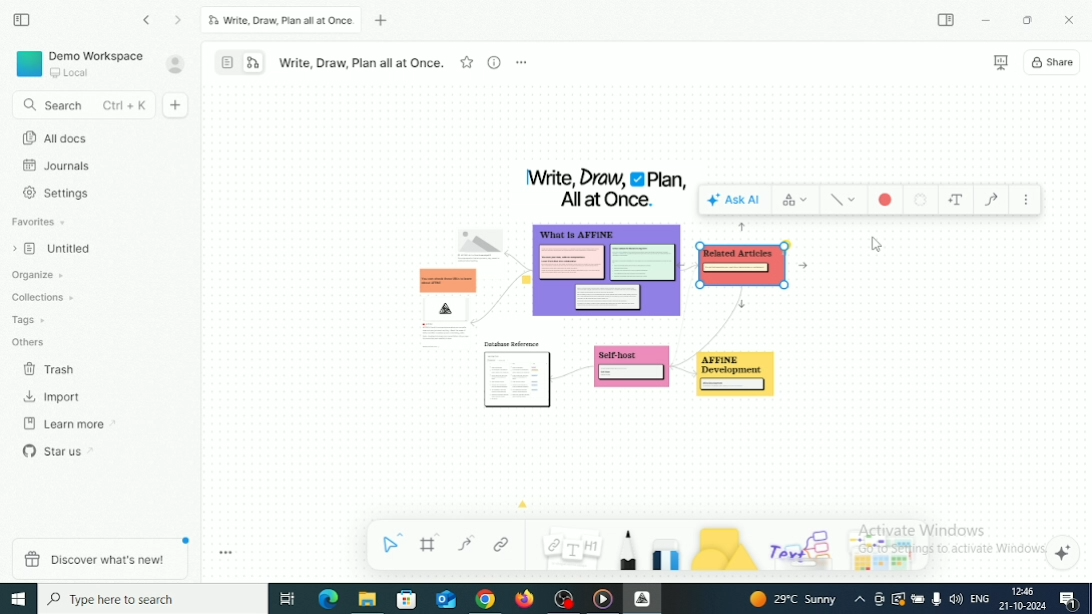 Image resolution: width=1092 pixels, height=614 pixels. I want to click on Firefox, so click(525, 600).